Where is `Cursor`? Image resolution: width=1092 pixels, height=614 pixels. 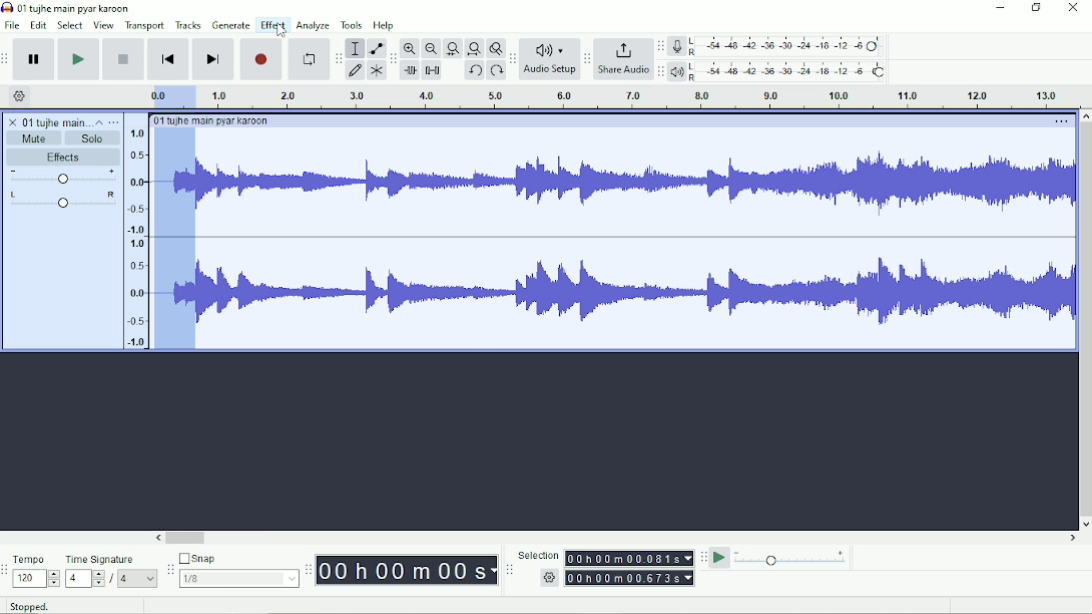
Cursor is located at coordinates (281, 30).